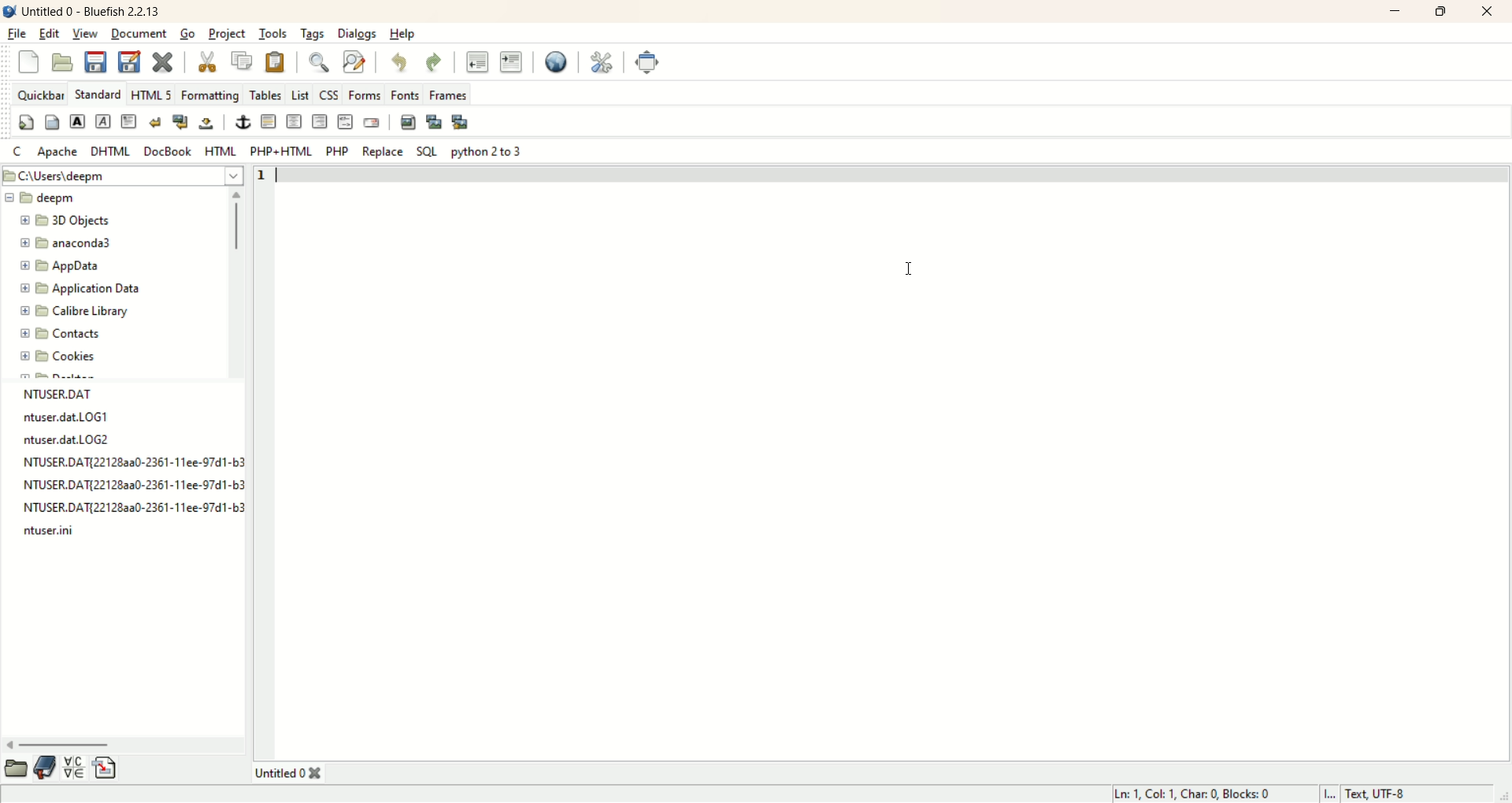  I want to click on close current file, so click(161, 64).